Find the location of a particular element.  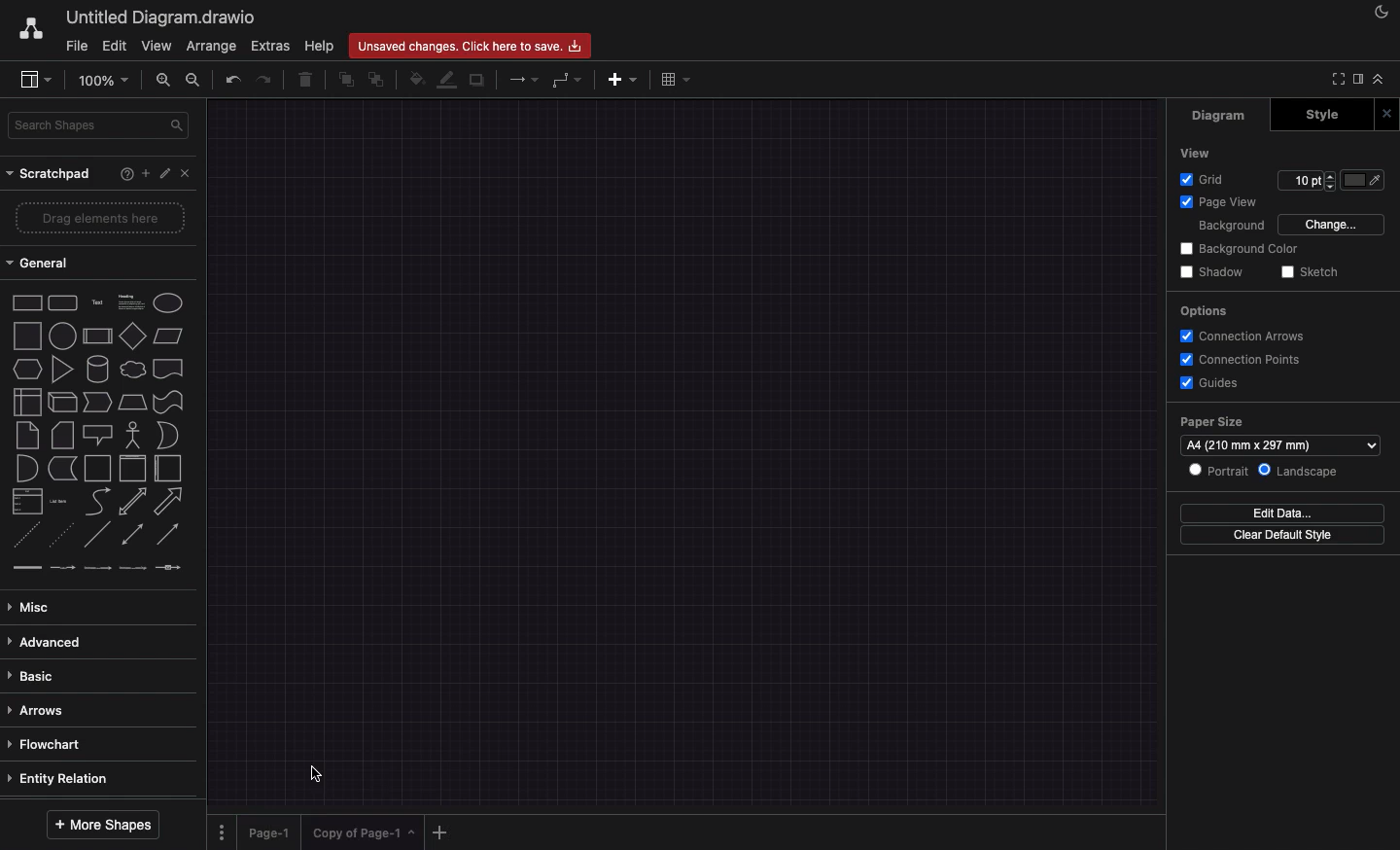

diagram is located at coordinates (1220, 117).